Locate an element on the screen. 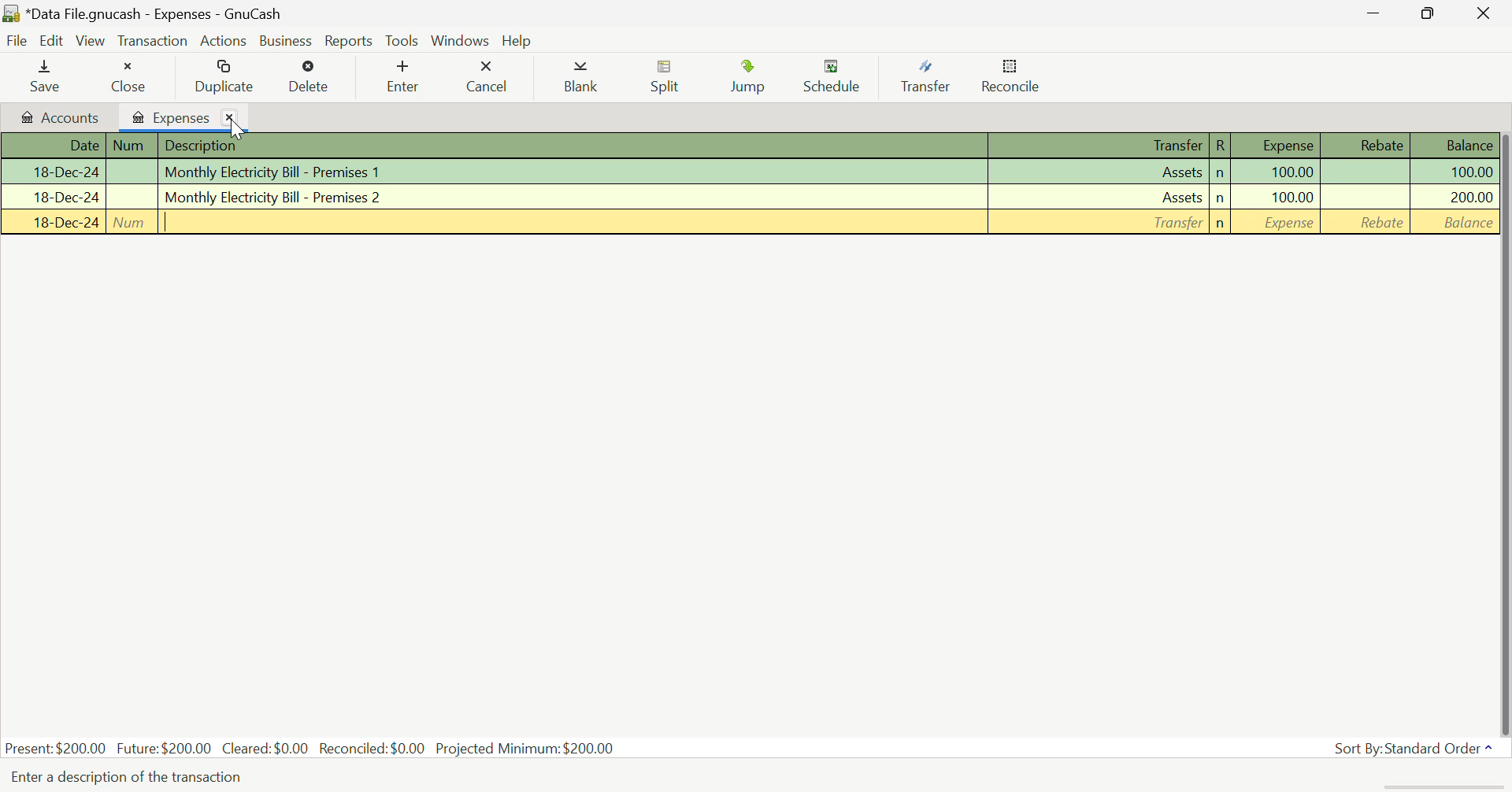 The height and width of the screenshot is (792, 1512). View is located at coordinates (91, 41).